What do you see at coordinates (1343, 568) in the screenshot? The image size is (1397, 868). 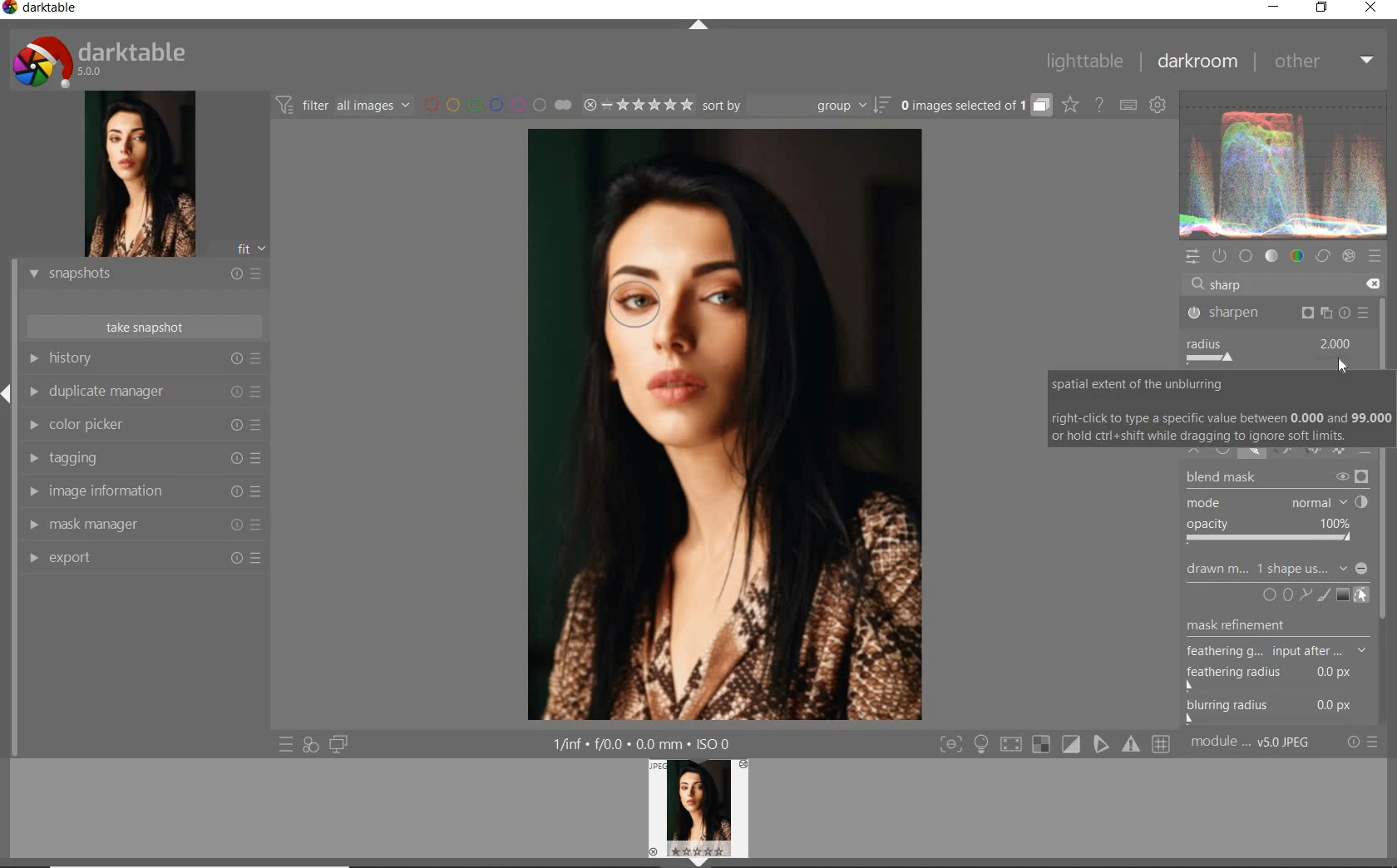 I see `dropdown` at bounding box center [1343, 568].